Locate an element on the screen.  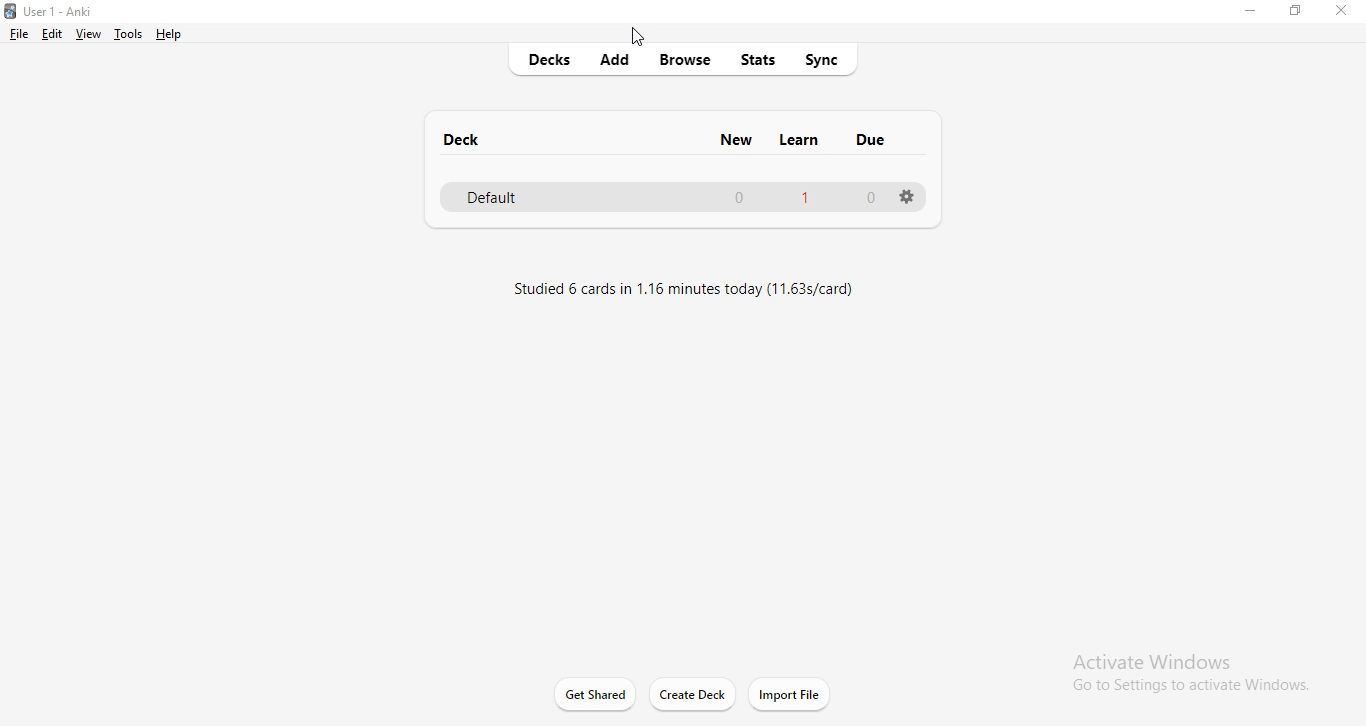
create deck is located at coordinates (690, 696).